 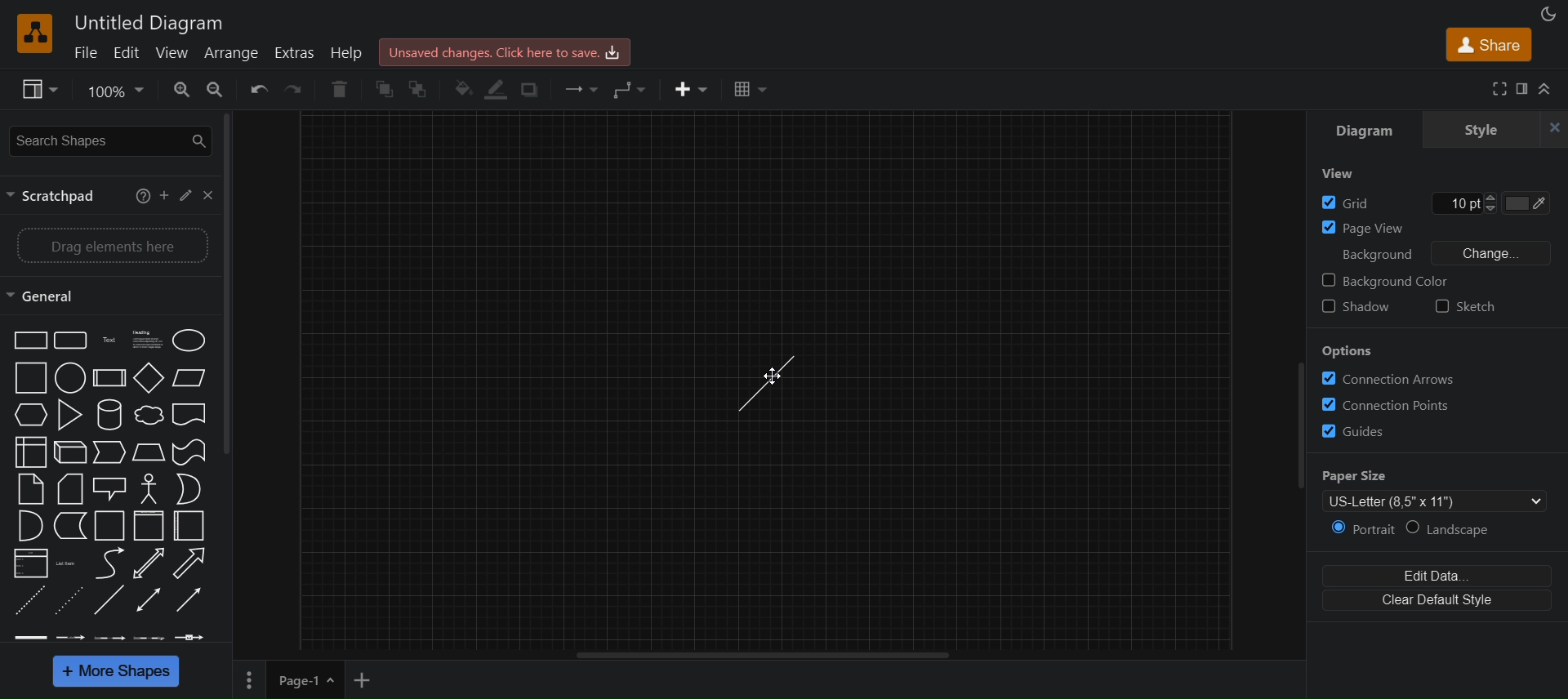 I want to click on Card, so click(x=69, y=488).